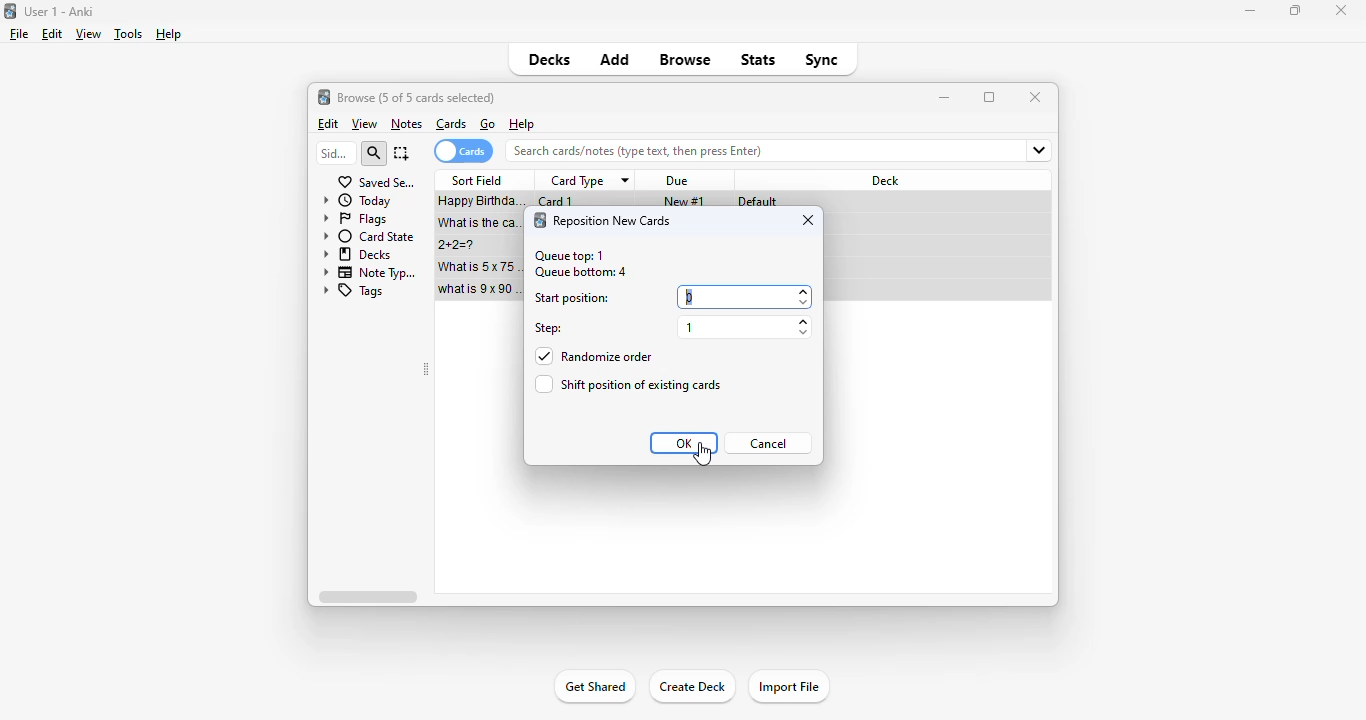 Image resolution: width=1366 pixels, height=720 pixels. What do you see at coordinates (809, 220) in the screenshot?
I see `close` at bounding box center [809, 220].